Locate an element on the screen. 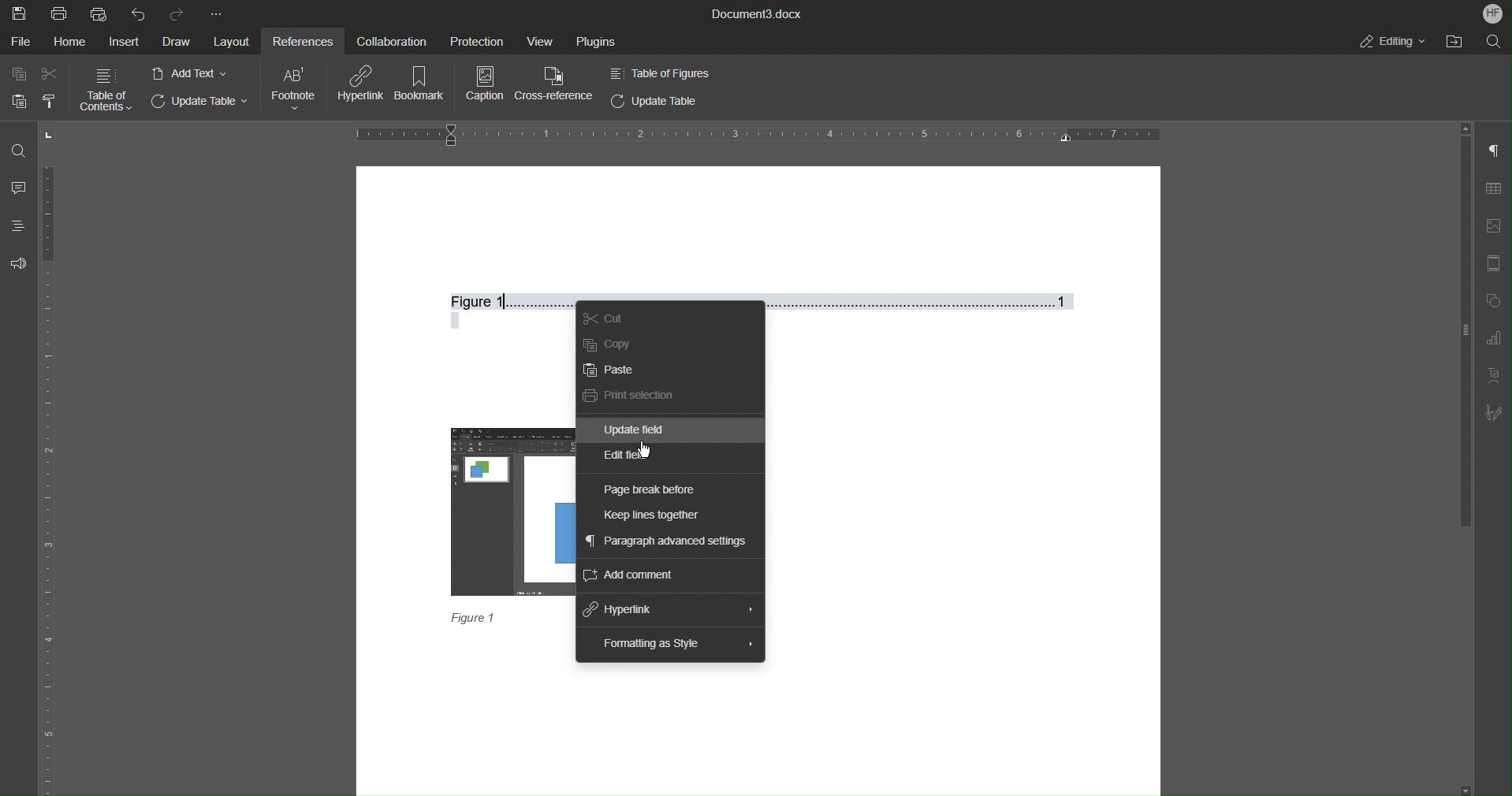 The width and height of the screenshot is (1512, 796). Text cursor is located at coordinates (508, 301).